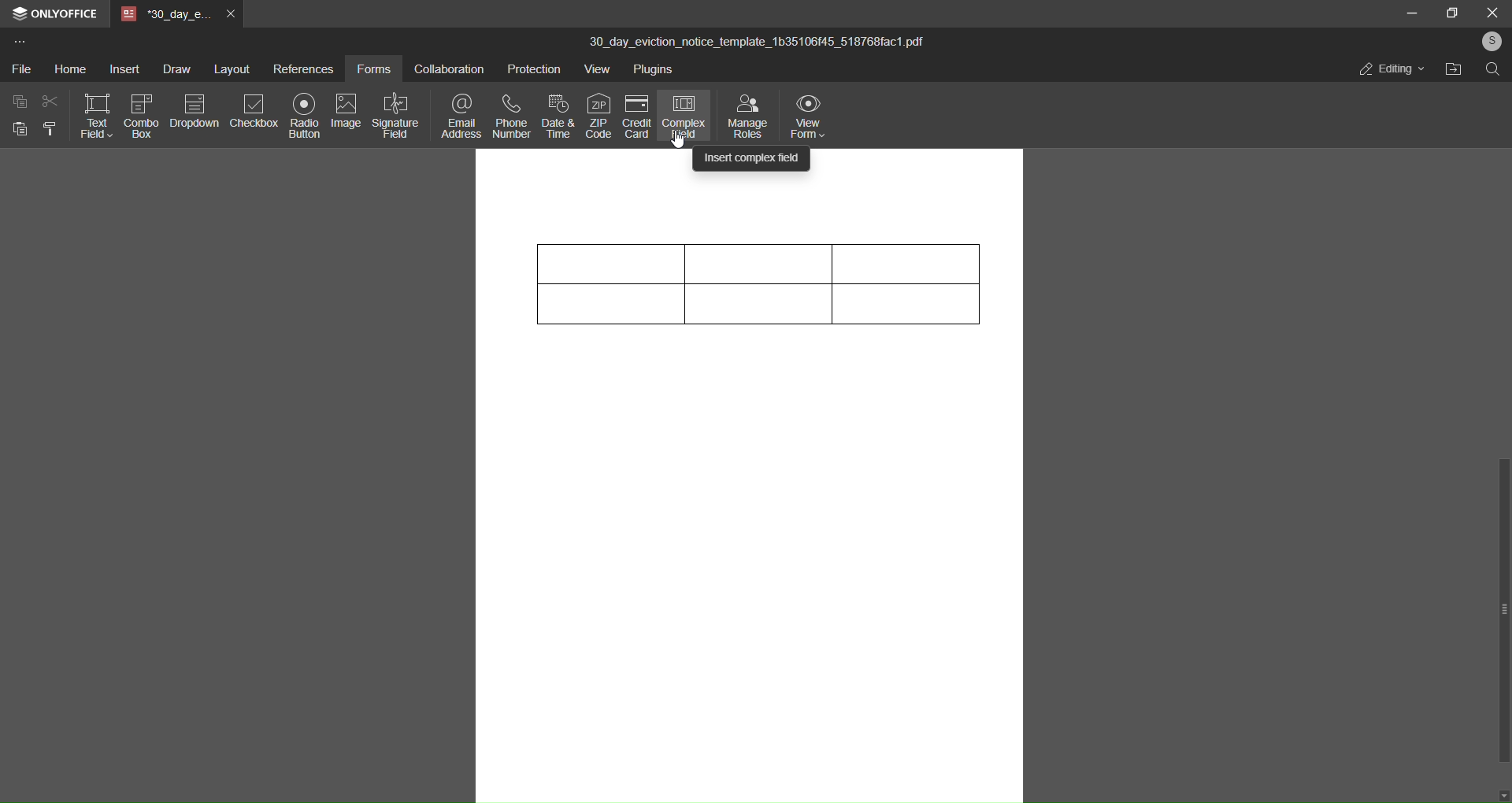 This screenshot has width=1512, height=803. Describe the element at coordinates (17, 131) in the screenshot. I see `paste` at that location.